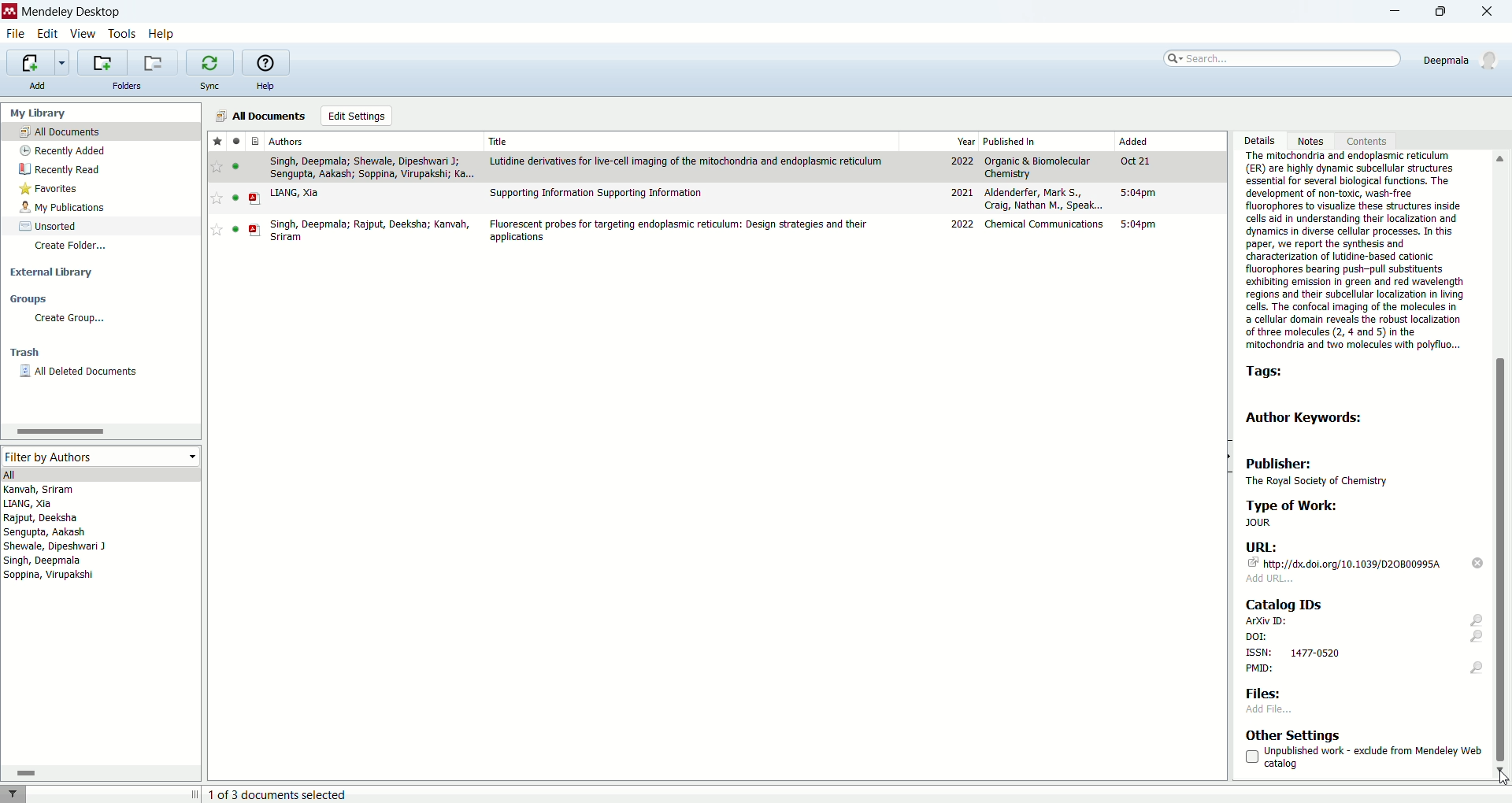 Image resolution: width=1512 pixels, height=803 pixels. Describe the element at coordinates (1363, 757) in the screenshot. I see `unpublished work - exclude from mendeley web catalog` at that location.